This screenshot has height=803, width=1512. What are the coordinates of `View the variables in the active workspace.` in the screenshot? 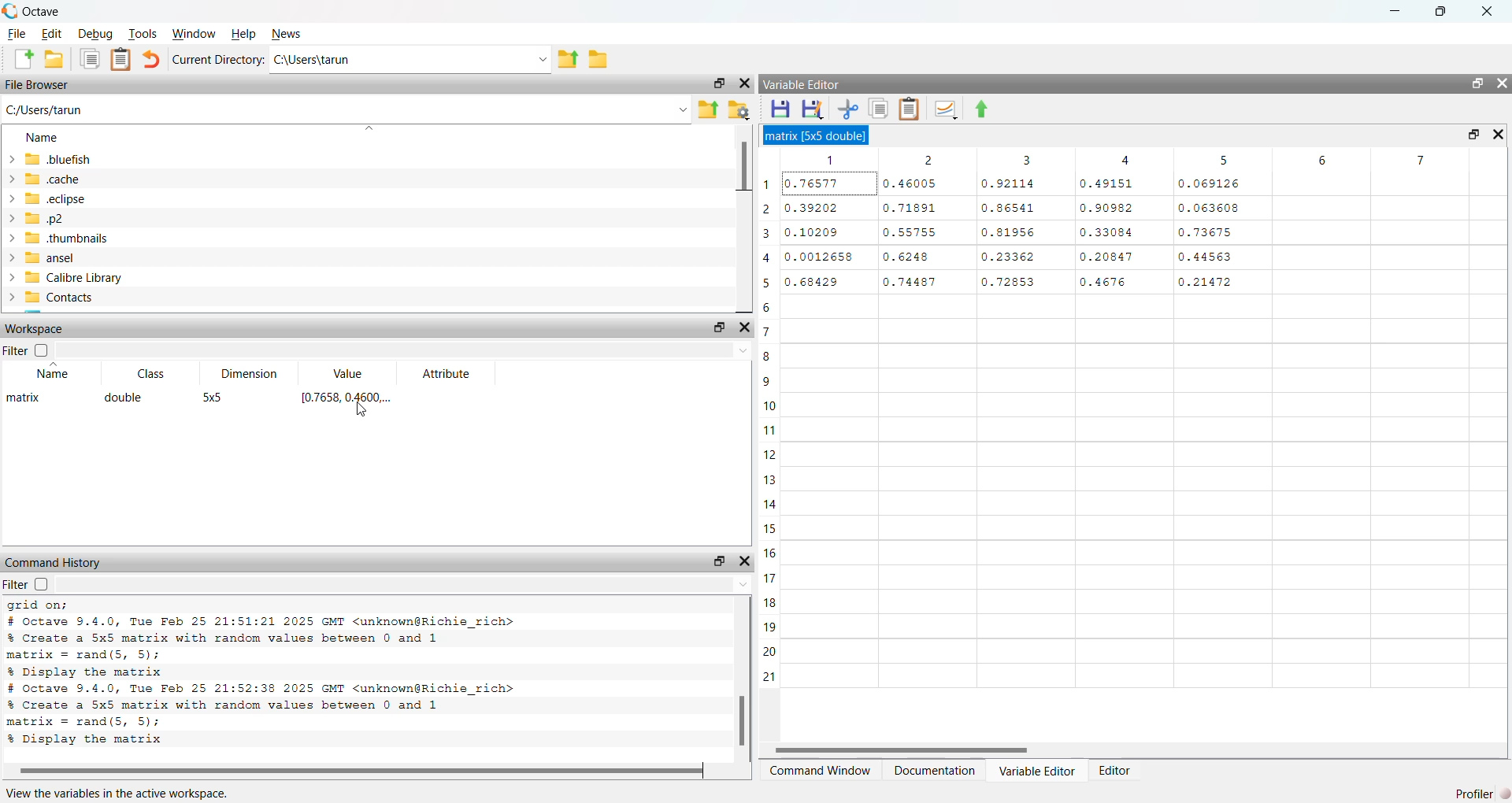 It's located at (122, 794).